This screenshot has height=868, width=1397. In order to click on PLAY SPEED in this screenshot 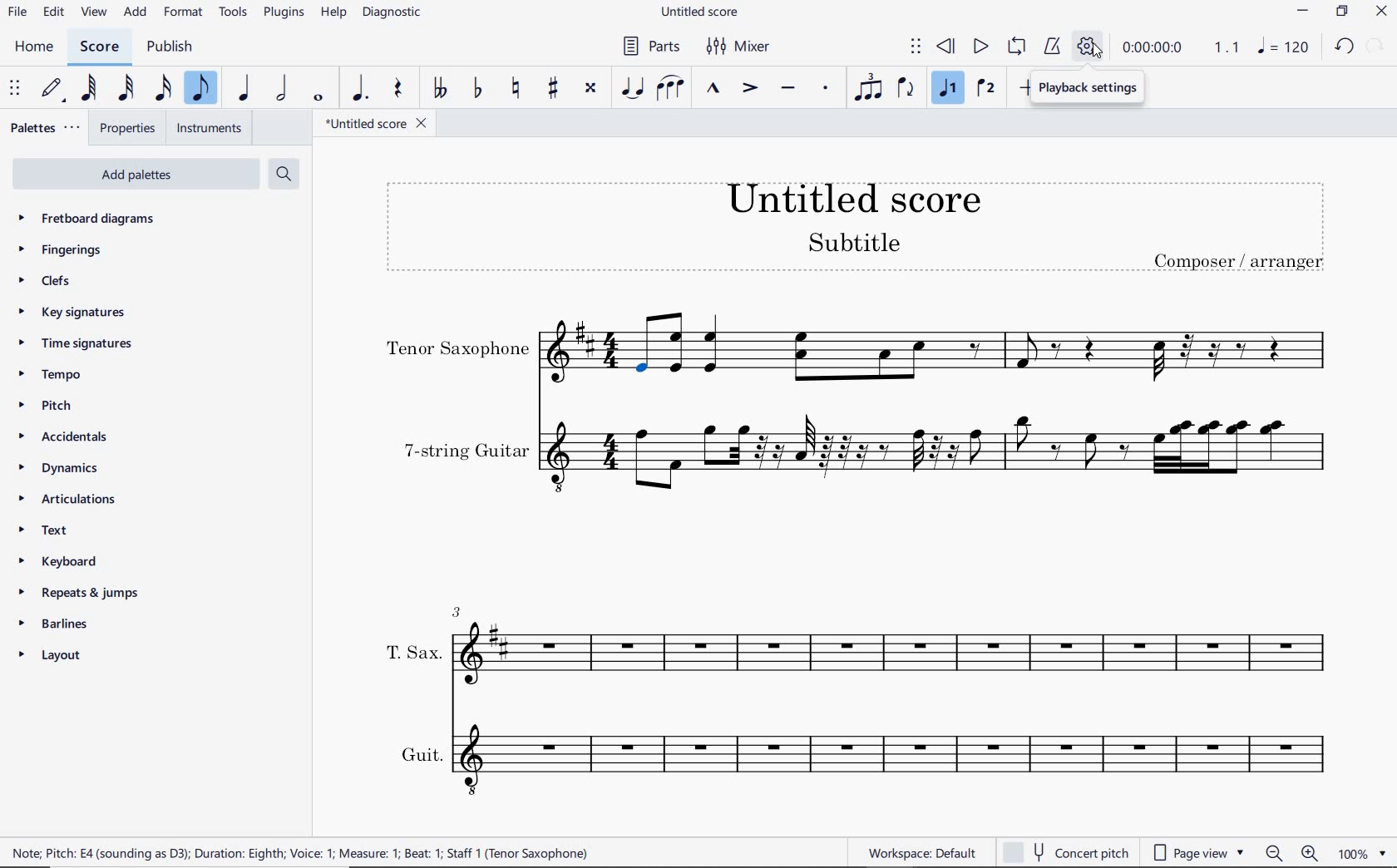, I will do `click(1183, 52)`.